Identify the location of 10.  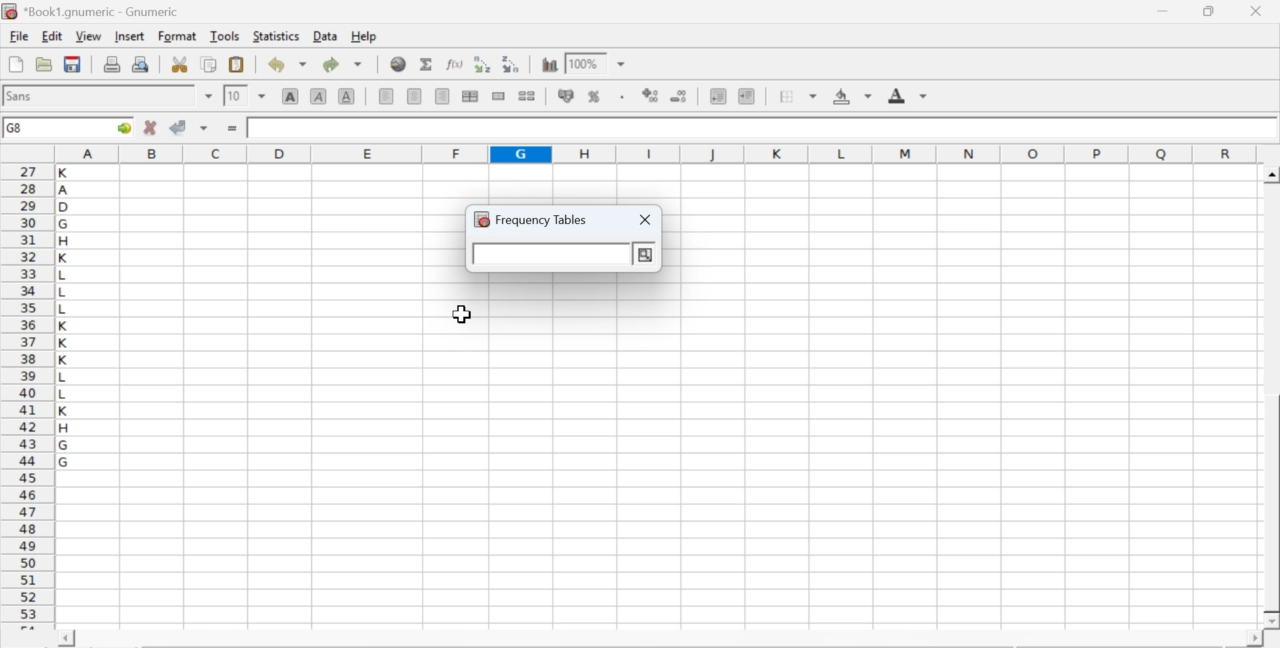
(235, 96).